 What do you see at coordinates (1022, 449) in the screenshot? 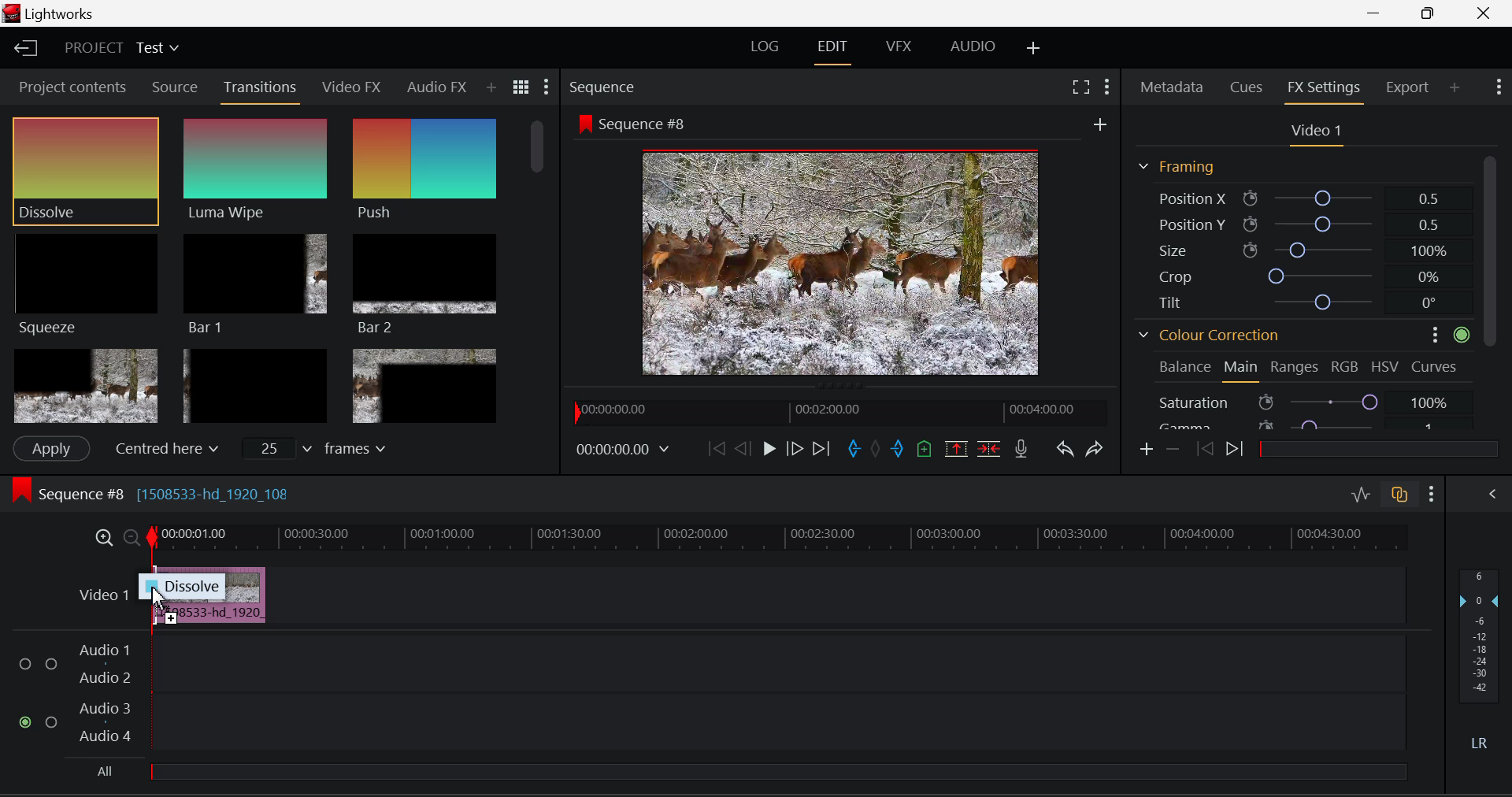
I see `Record Voiceover` at bounding box center [1022, 449].